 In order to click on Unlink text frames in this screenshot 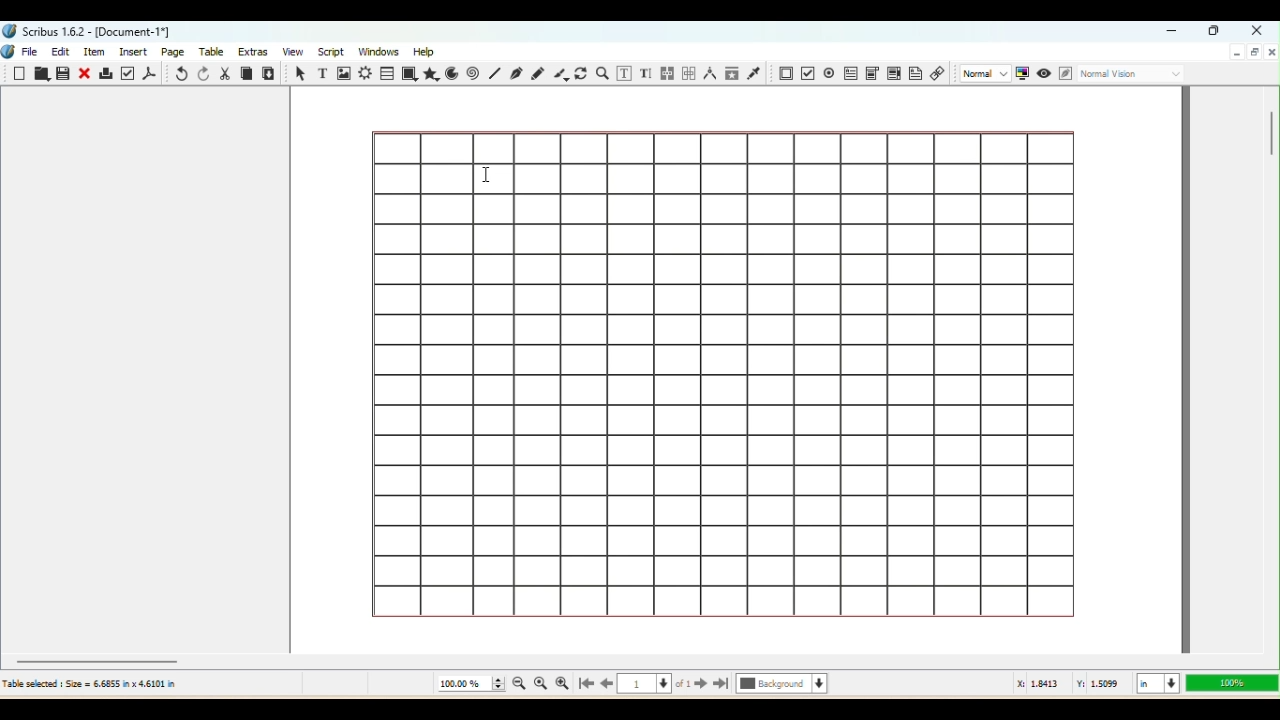, I will do `click(687, 72)`.